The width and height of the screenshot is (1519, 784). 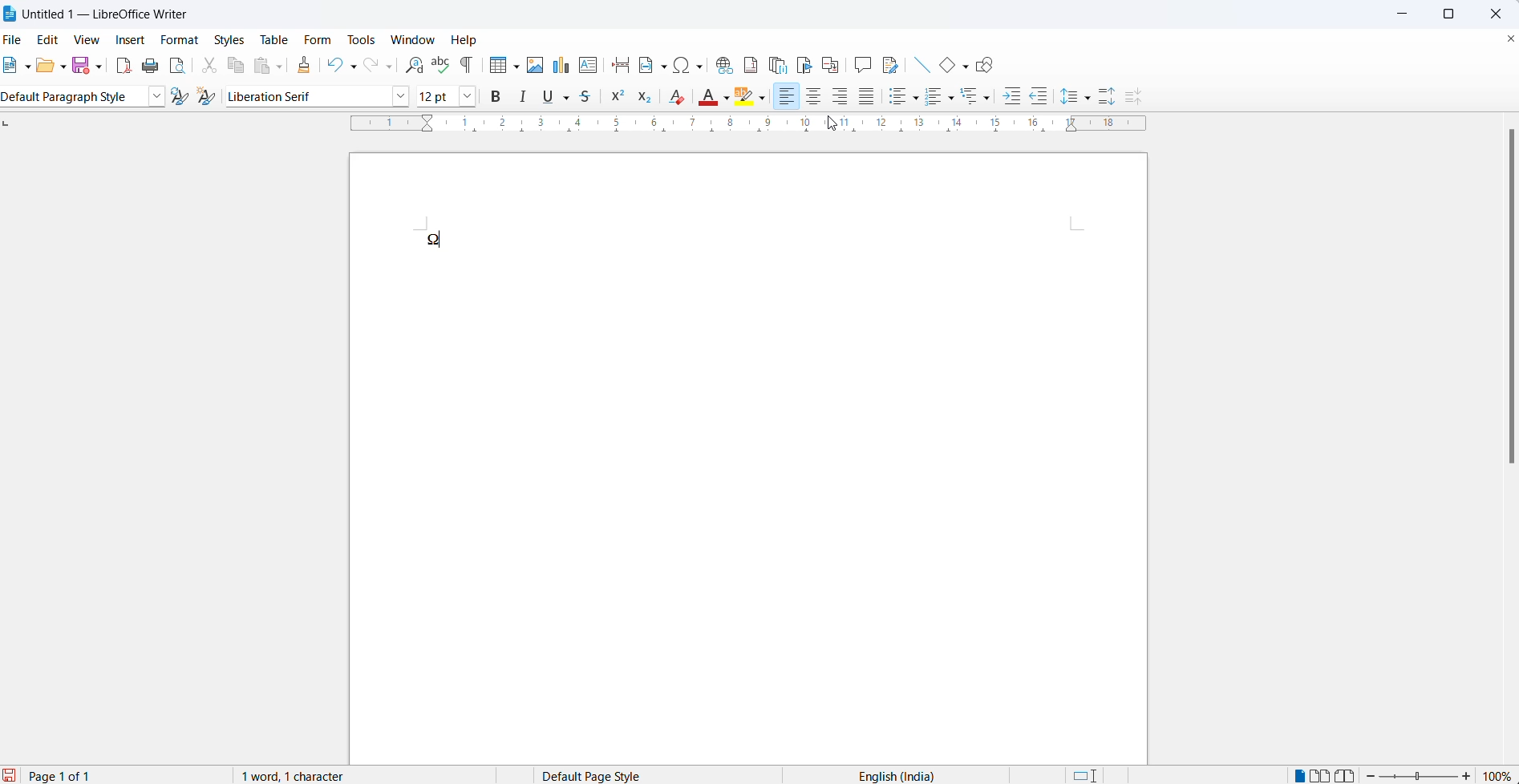 I want to click on justified, so click(x=869, y=98).